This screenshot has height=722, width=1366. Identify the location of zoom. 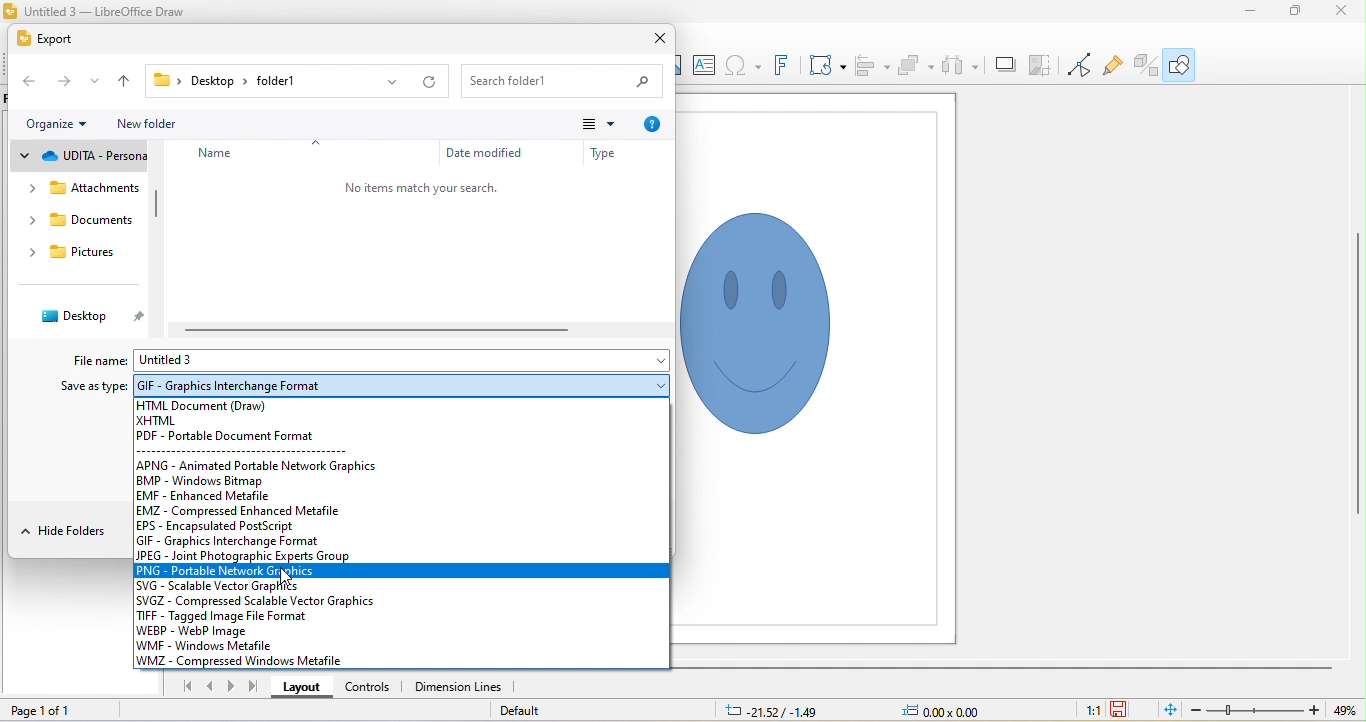
(1274, 709).